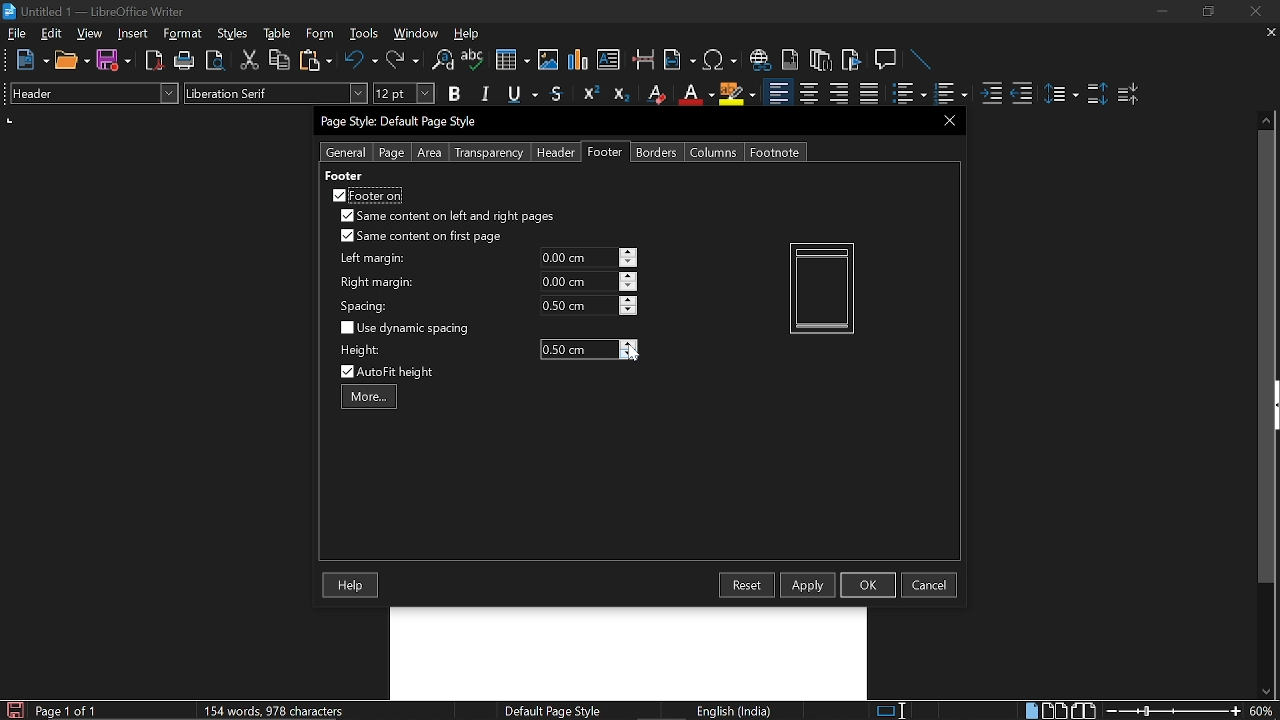 Image resolution: width=1280 pixels, height=720 pixels. I want to click on height, so click(362, 351).